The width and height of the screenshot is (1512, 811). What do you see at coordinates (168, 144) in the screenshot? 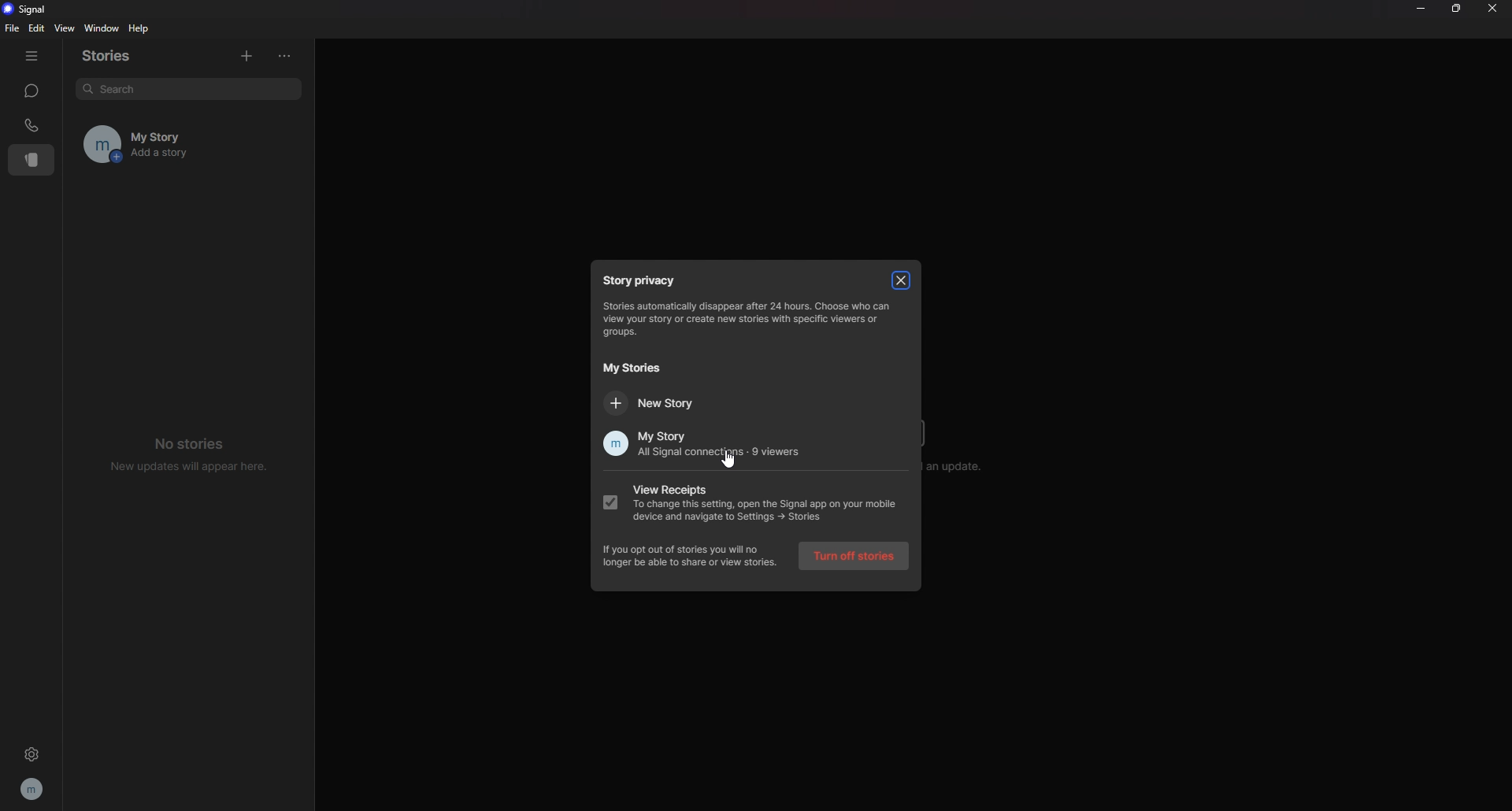
I see `my story add a story` at bounding box center [168, 144].